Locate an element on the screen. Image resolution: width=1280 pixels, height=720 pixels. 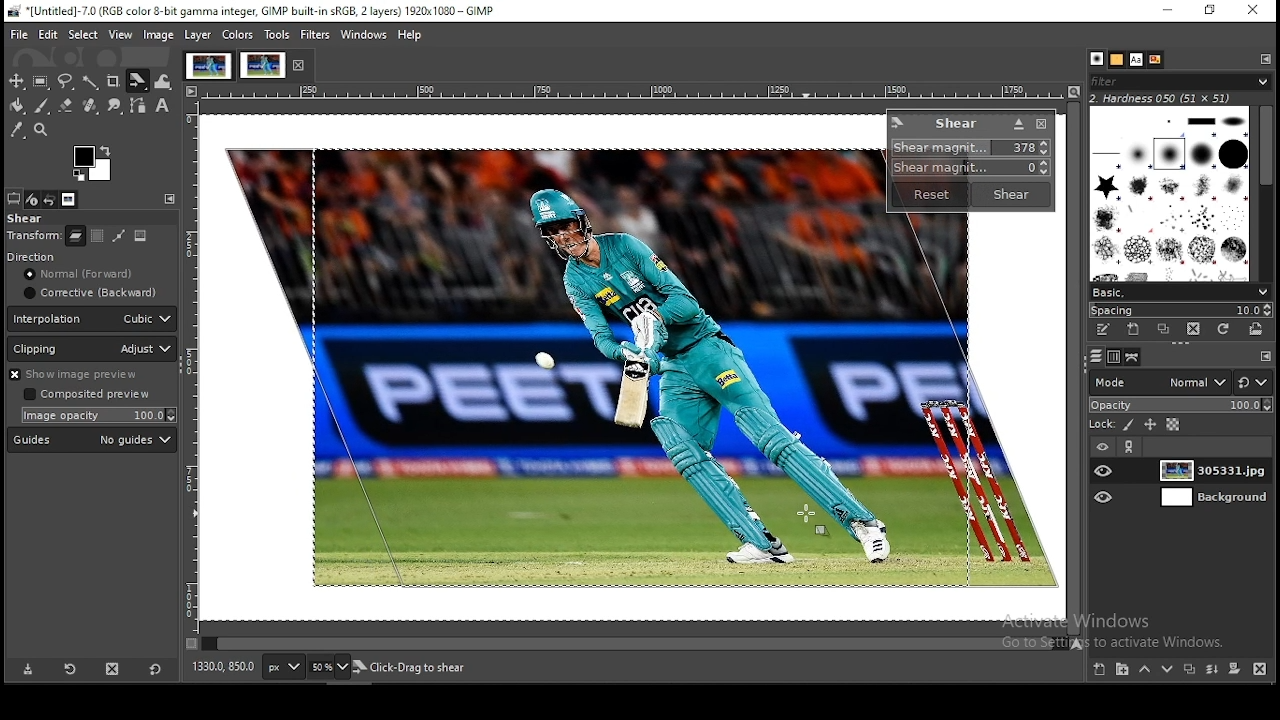
edit this brush is located at coordinates (1104, 330).